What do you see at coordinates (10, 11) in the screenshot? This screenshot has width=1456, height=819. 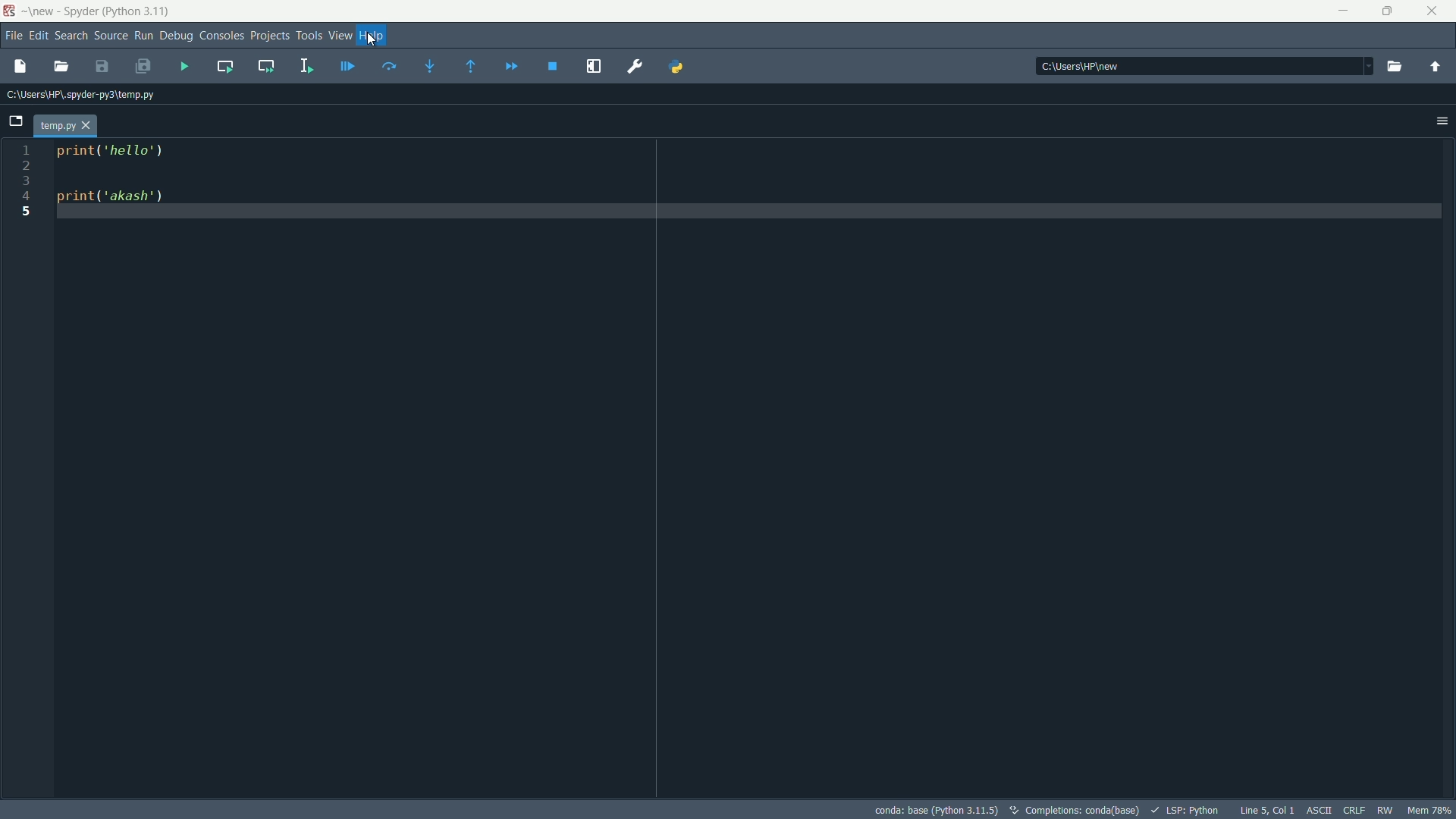 I see `app icon` at bounding box center [10, 11].